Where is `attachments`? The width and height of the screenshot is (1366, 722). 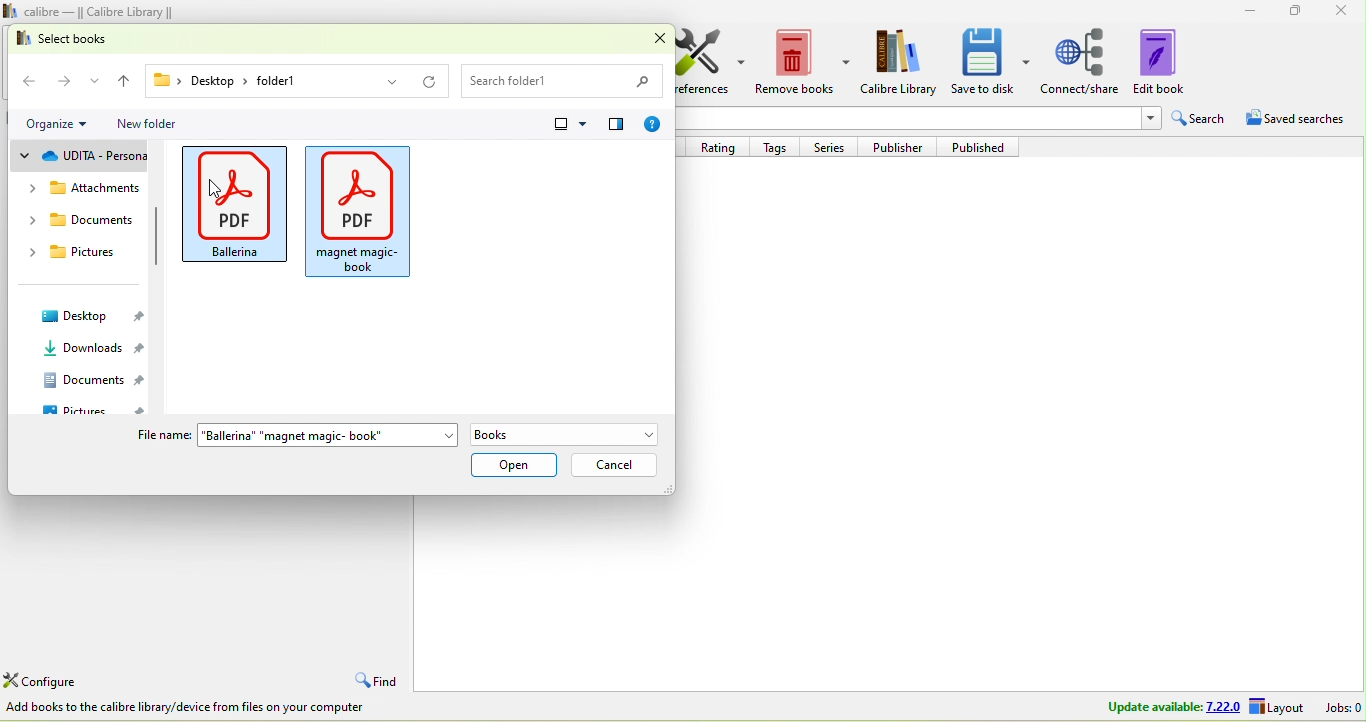
attachments is located at coordinates (85, 186).